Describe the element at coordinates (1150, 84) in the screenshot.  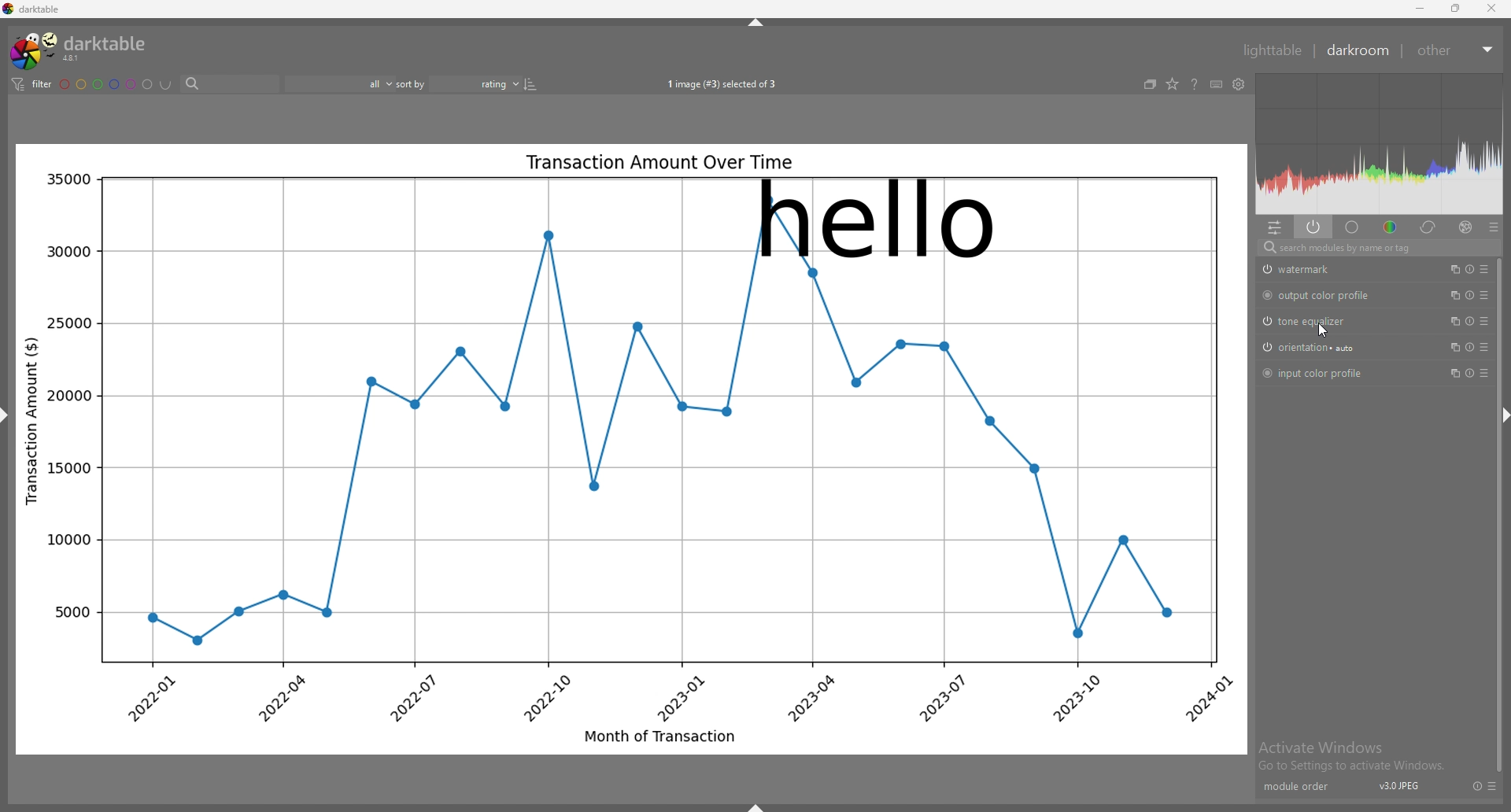
I see `collapse grouped images` at that location.